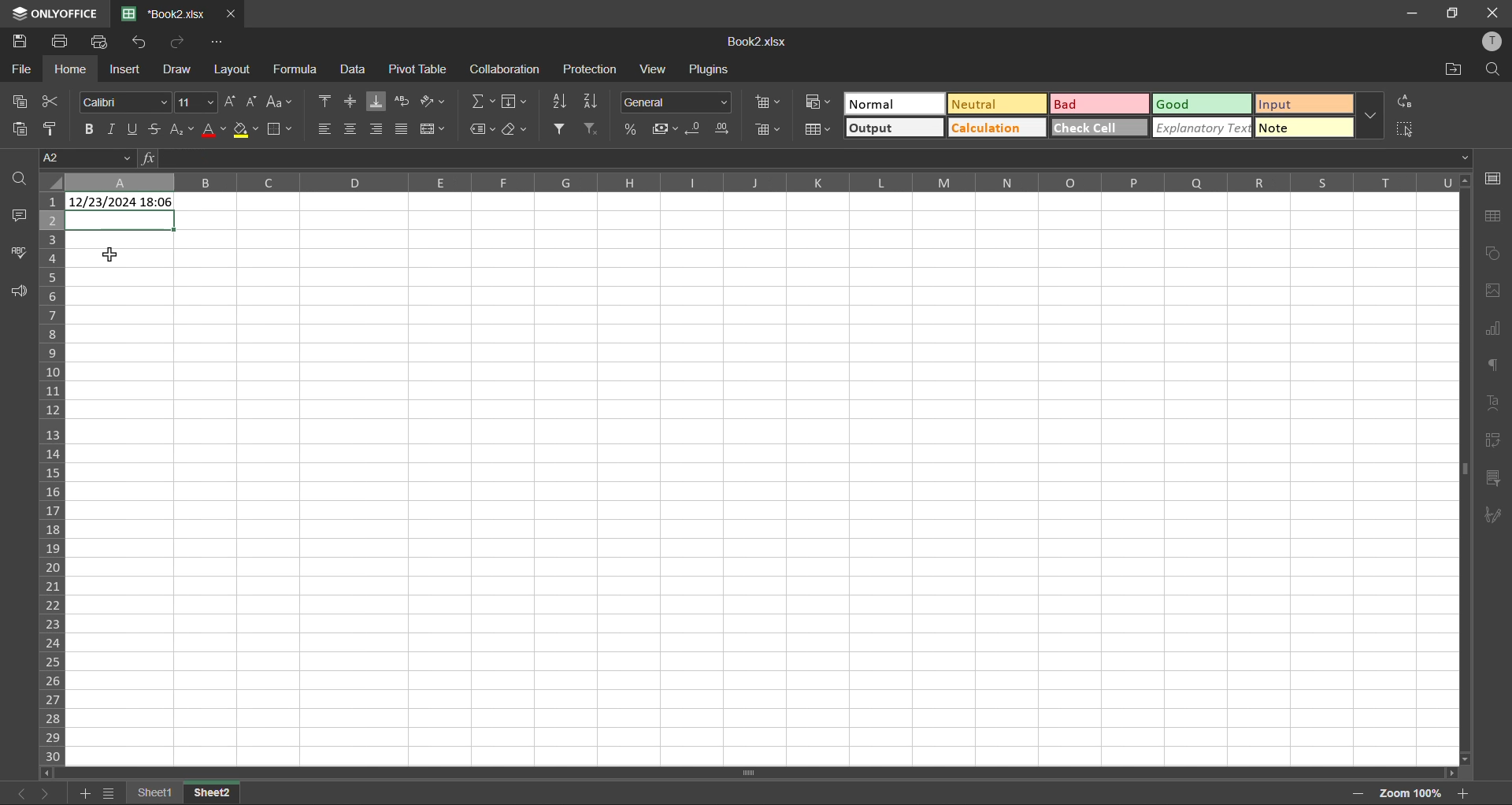 Image resolution: width=1512 pixels, height=805 pixels. Describe the element at coordinates (85, 159) in the screenshot. I see `A1` at that location.